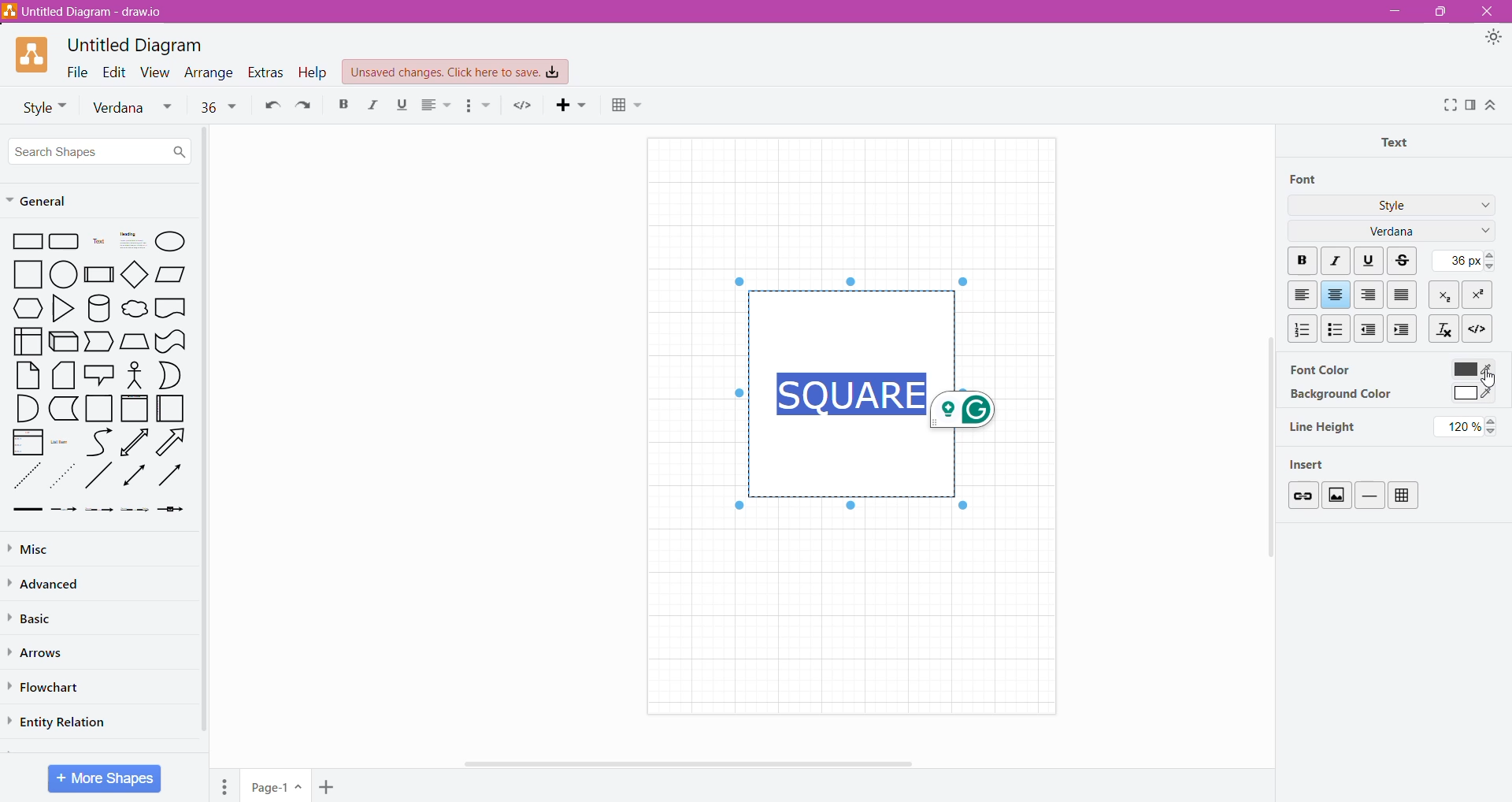  Describe the element at coordinates (218, 106) in the screenshot. I see `Font size` at that location.